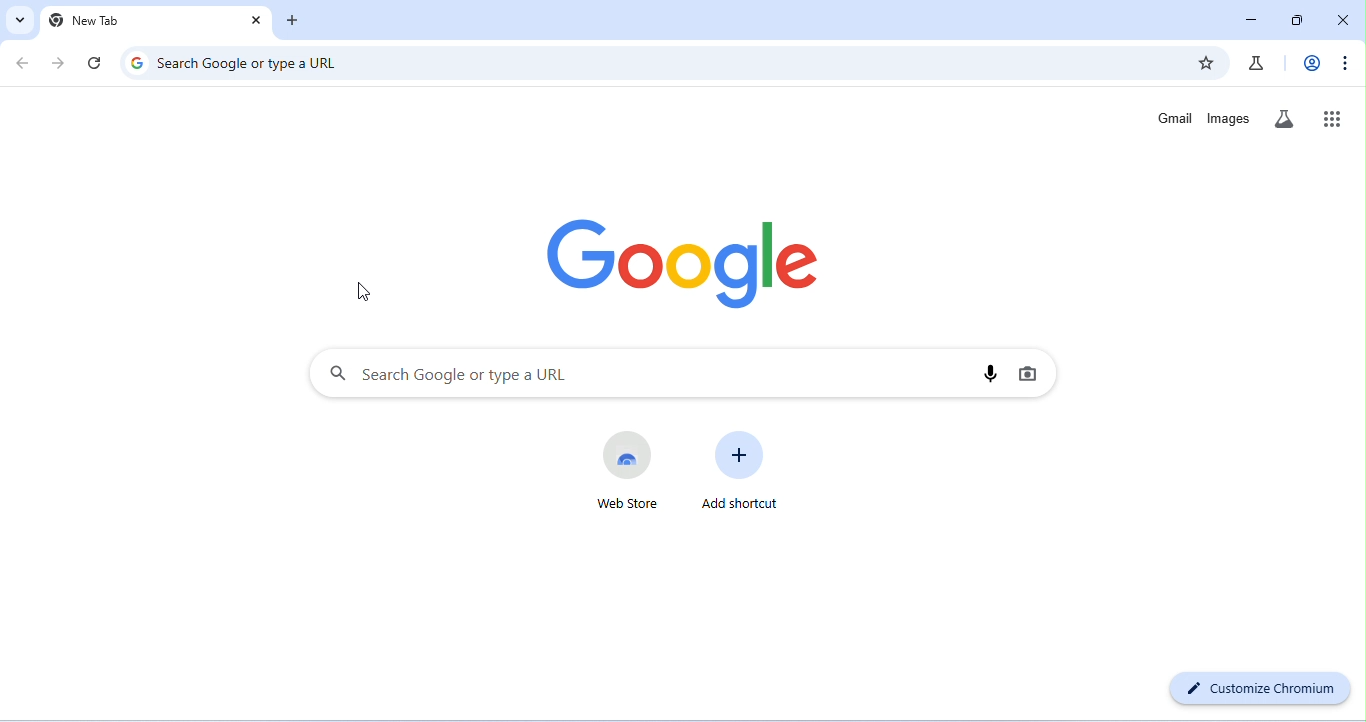 This screenshot has height=722, width=1366. I want to click on add shortcut, so click(743, 471).